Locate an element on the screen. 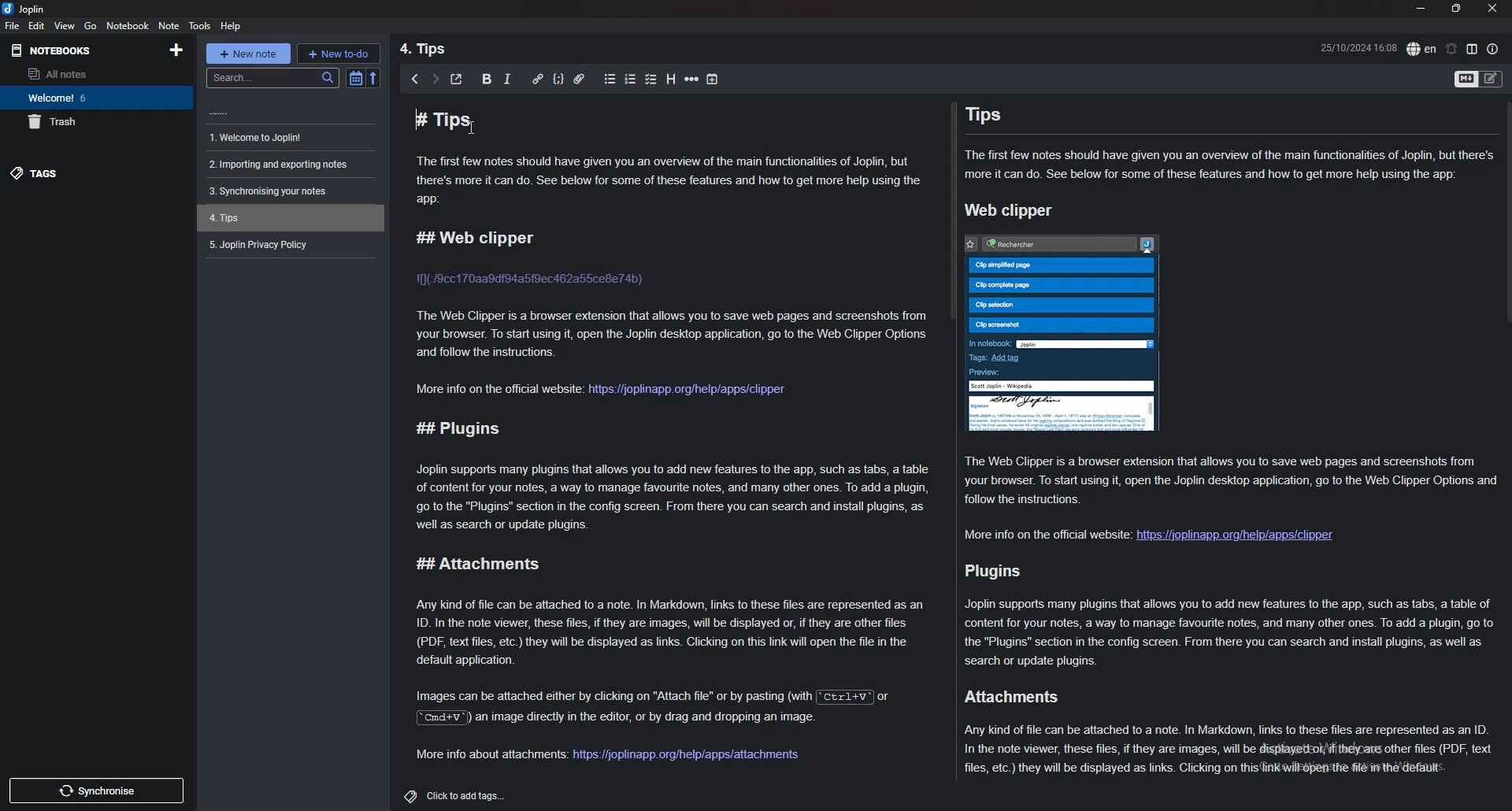 The height and width of the screenshot is (811, 1512). notebooks is located at coordinates (94, 50).